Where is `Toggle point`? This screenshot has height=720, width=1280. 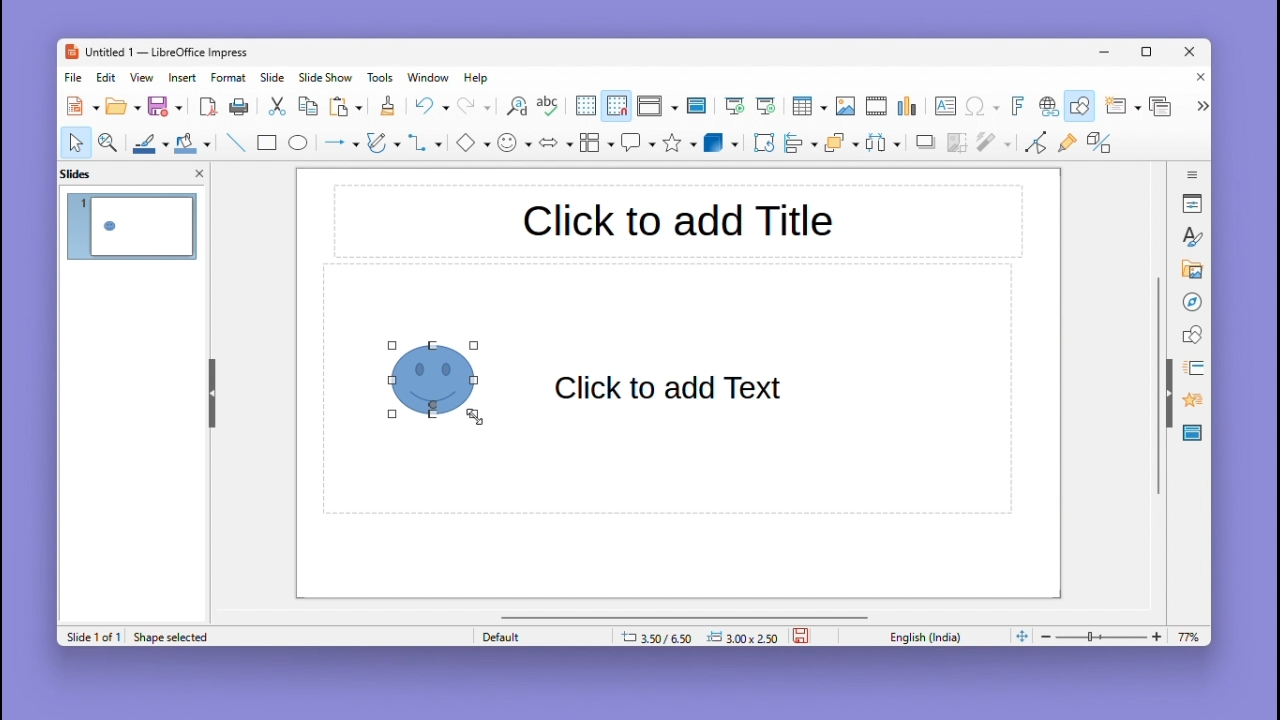 Toggle point is located at coordinates (1033, 146).